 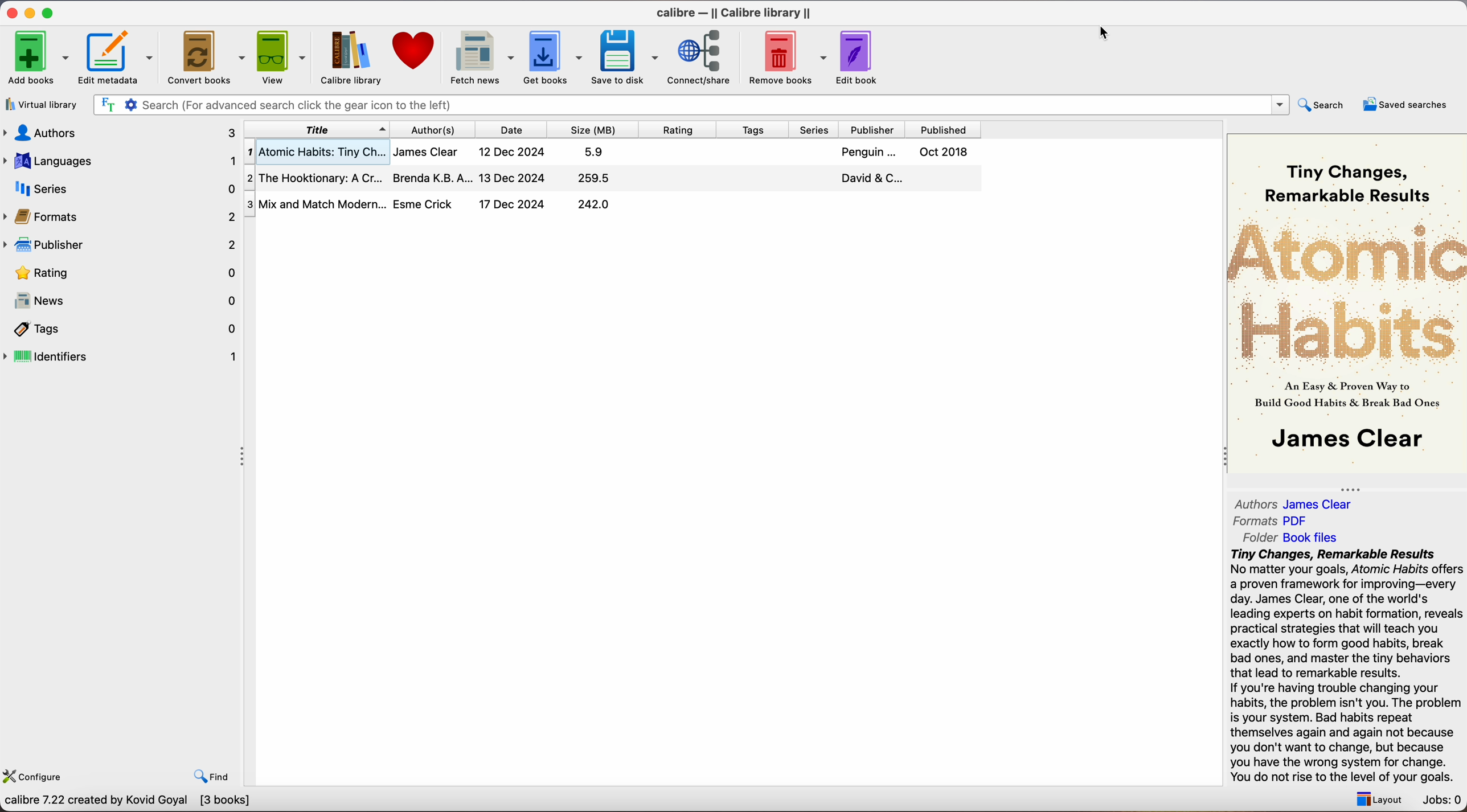 I want to click on published, so click(x=946, y=130).